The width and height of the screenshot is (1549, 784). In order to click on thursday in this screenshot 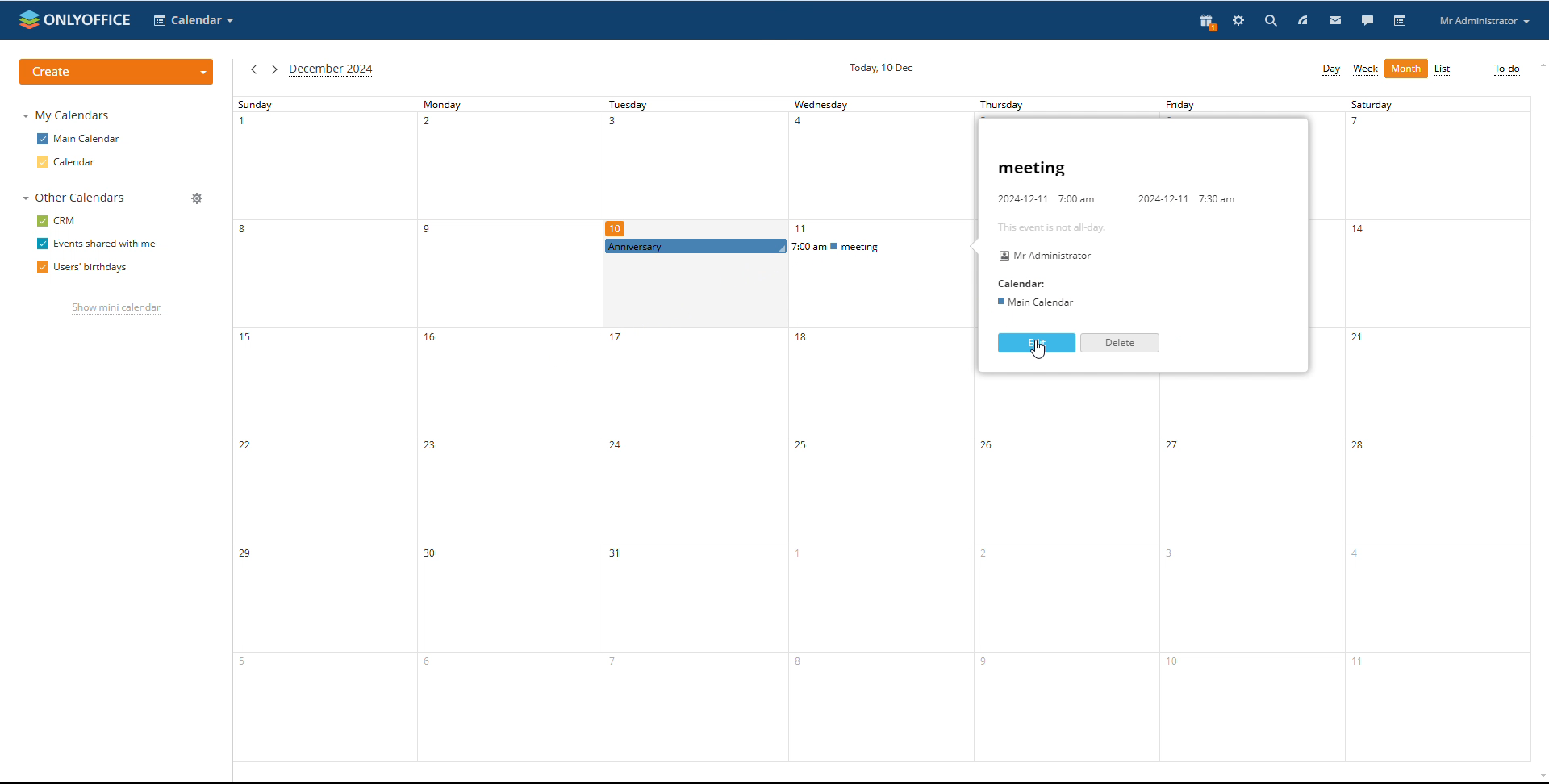, I will do `click(1058, 105)`.